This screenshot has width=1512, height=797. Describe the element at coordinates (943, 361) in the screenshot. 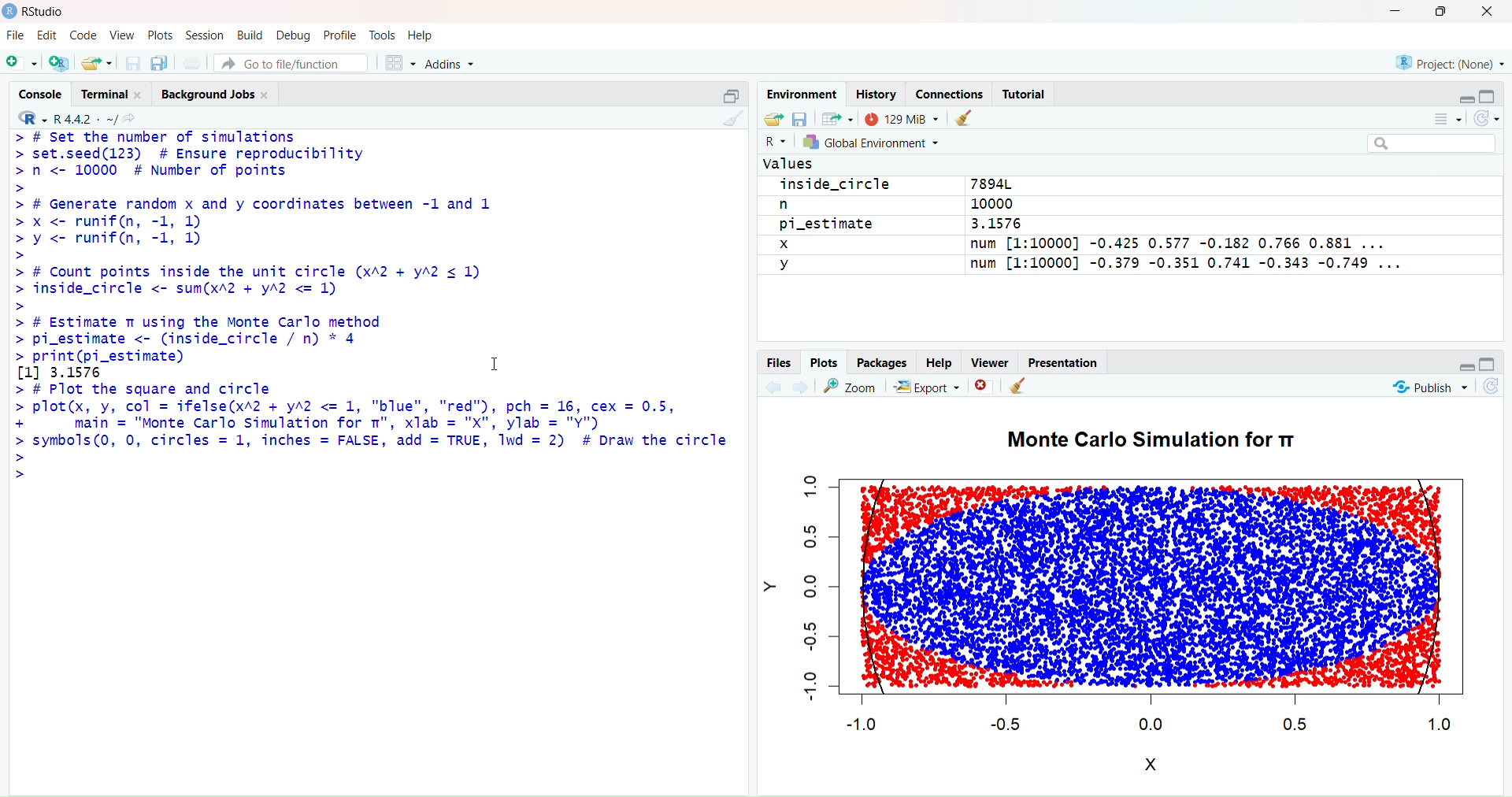

I see `Help` at that location.